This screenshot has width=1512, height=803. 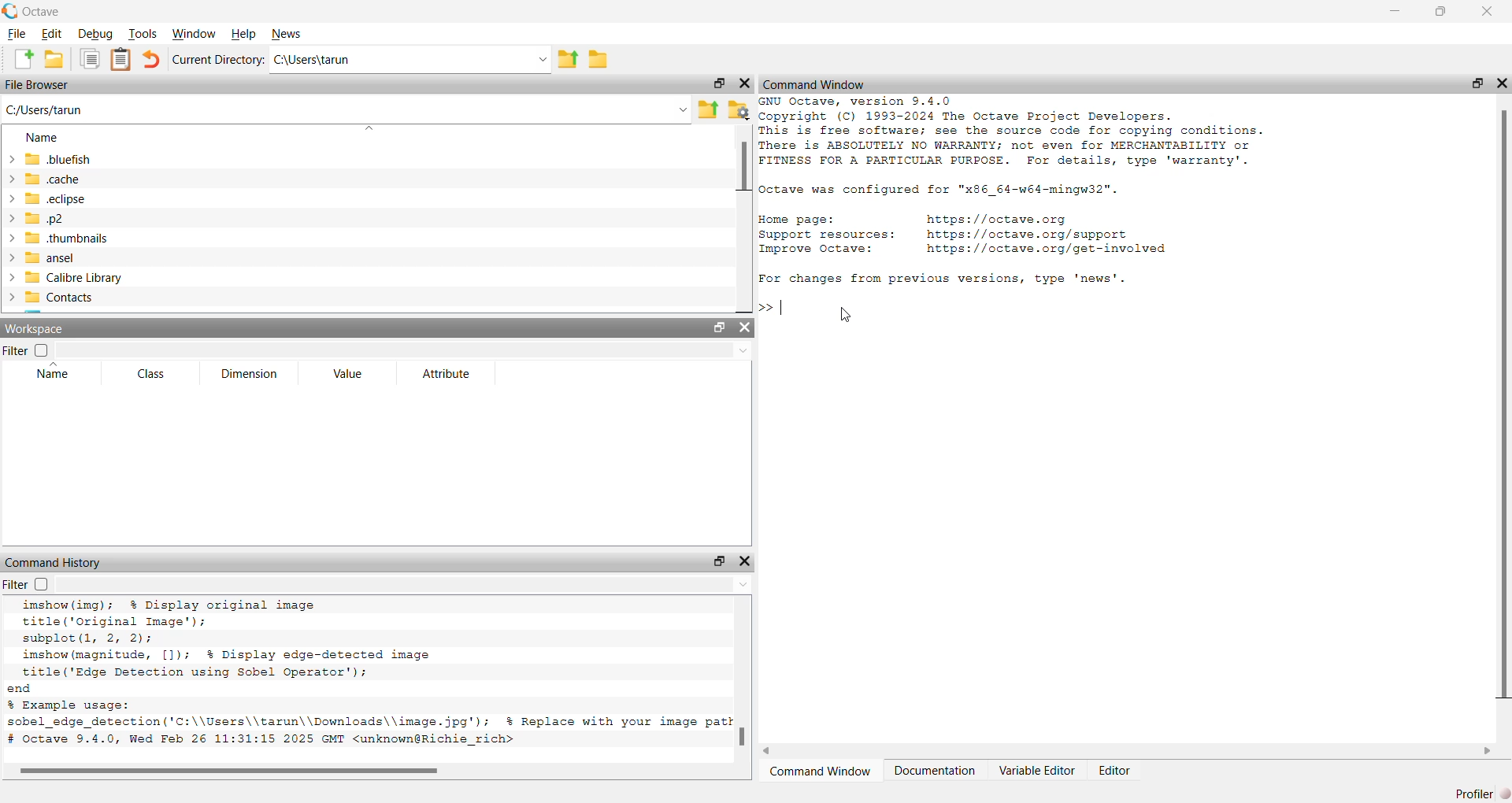 What do you see at coordinates (13, 352) in the screenshot?
I see `Filter` at bounding box center [13, 352].